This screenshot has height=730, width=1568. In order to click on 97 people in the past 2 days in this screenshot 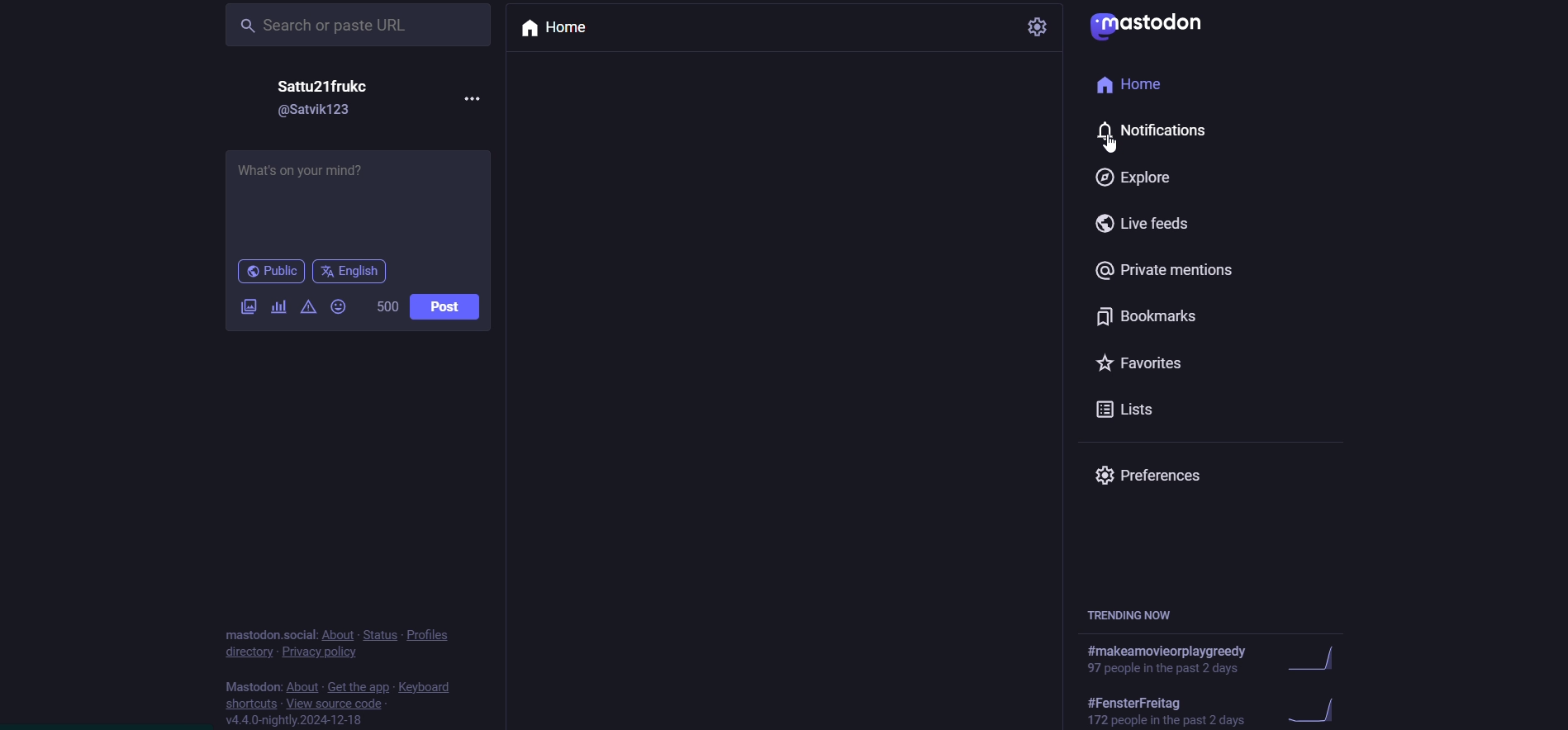, I will do `click(1166, 668)`.